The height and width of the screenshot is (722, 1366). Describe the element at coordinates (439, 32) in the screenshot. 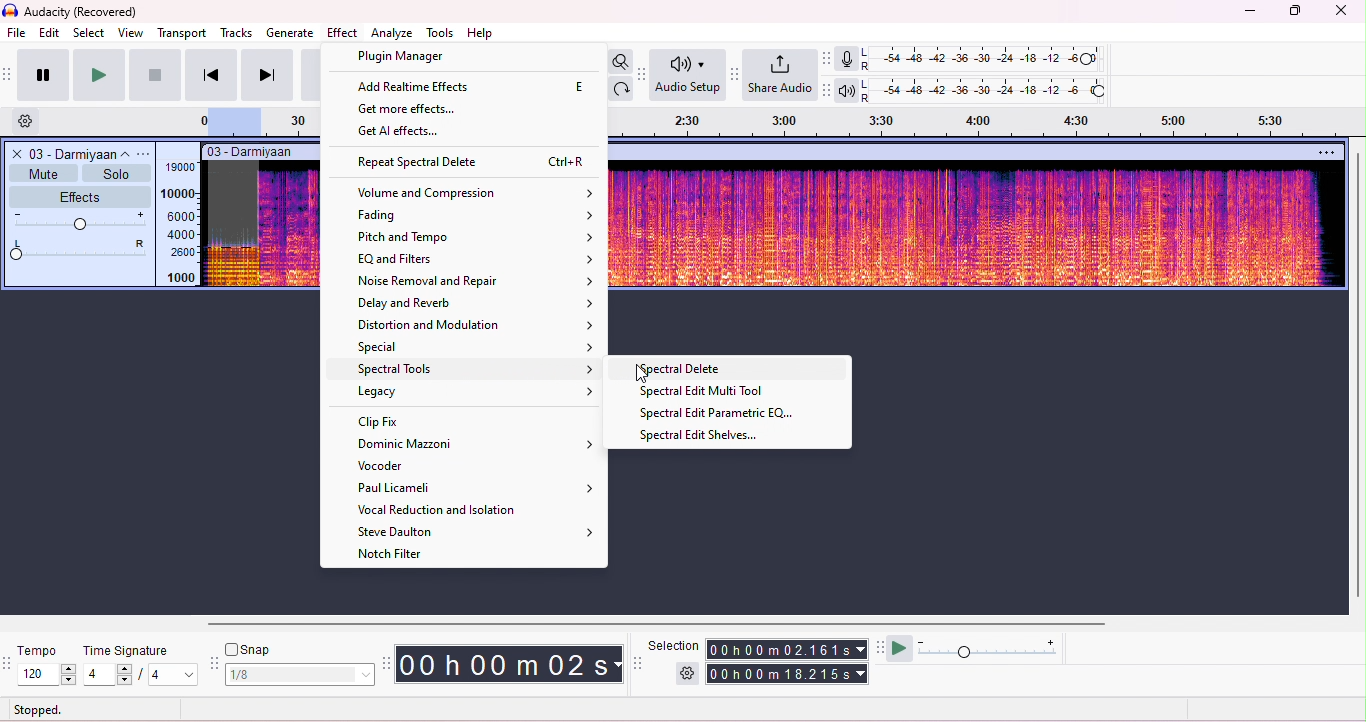

I see `tools` at that location.